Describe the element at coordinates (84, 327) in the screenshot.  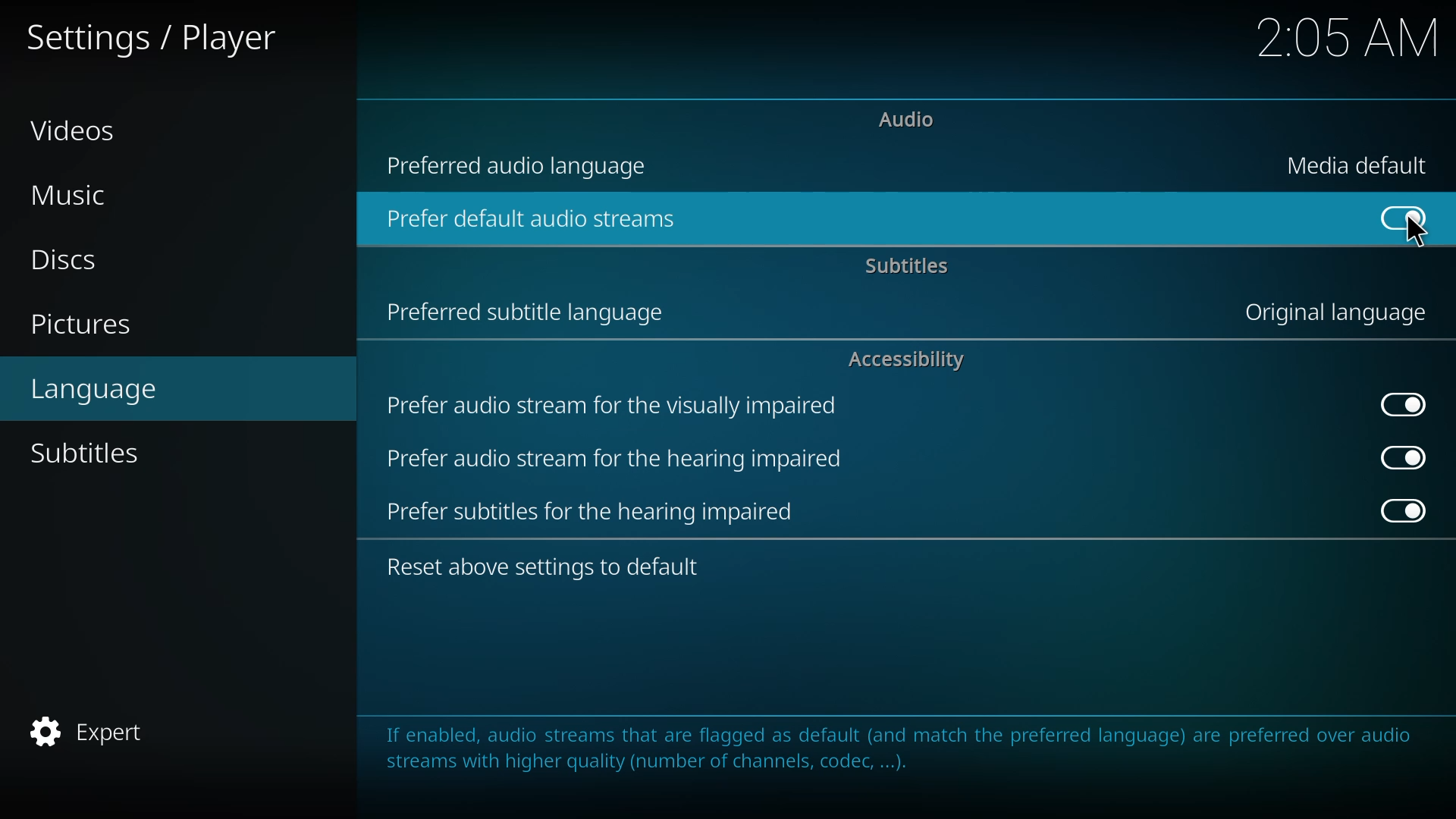
I see `pictures` at that location.